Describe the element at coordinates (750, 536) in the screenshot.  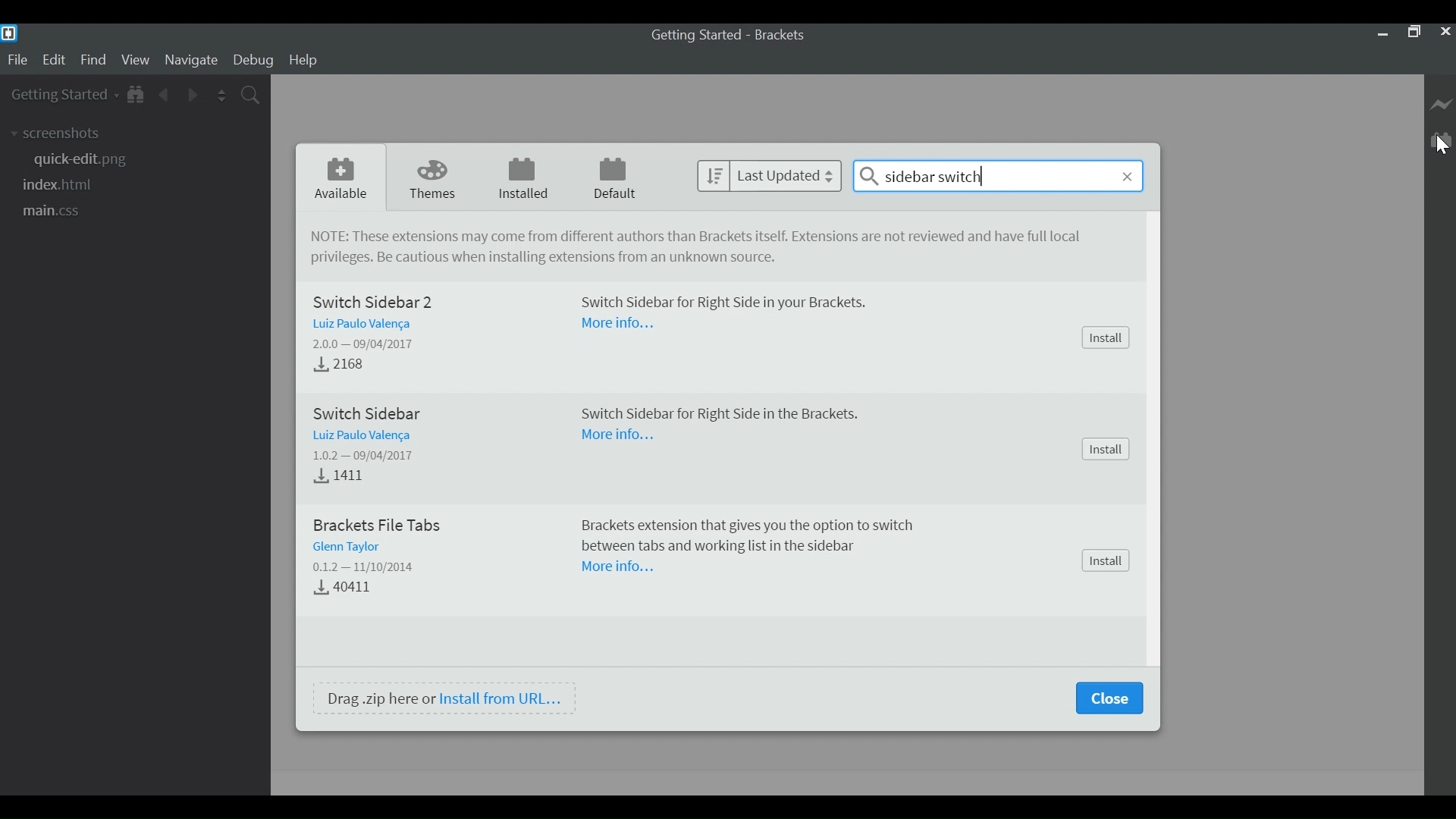
I see `Brackets extension tat gives you the option to switch between tabs and working list in the sidebar` at that location.